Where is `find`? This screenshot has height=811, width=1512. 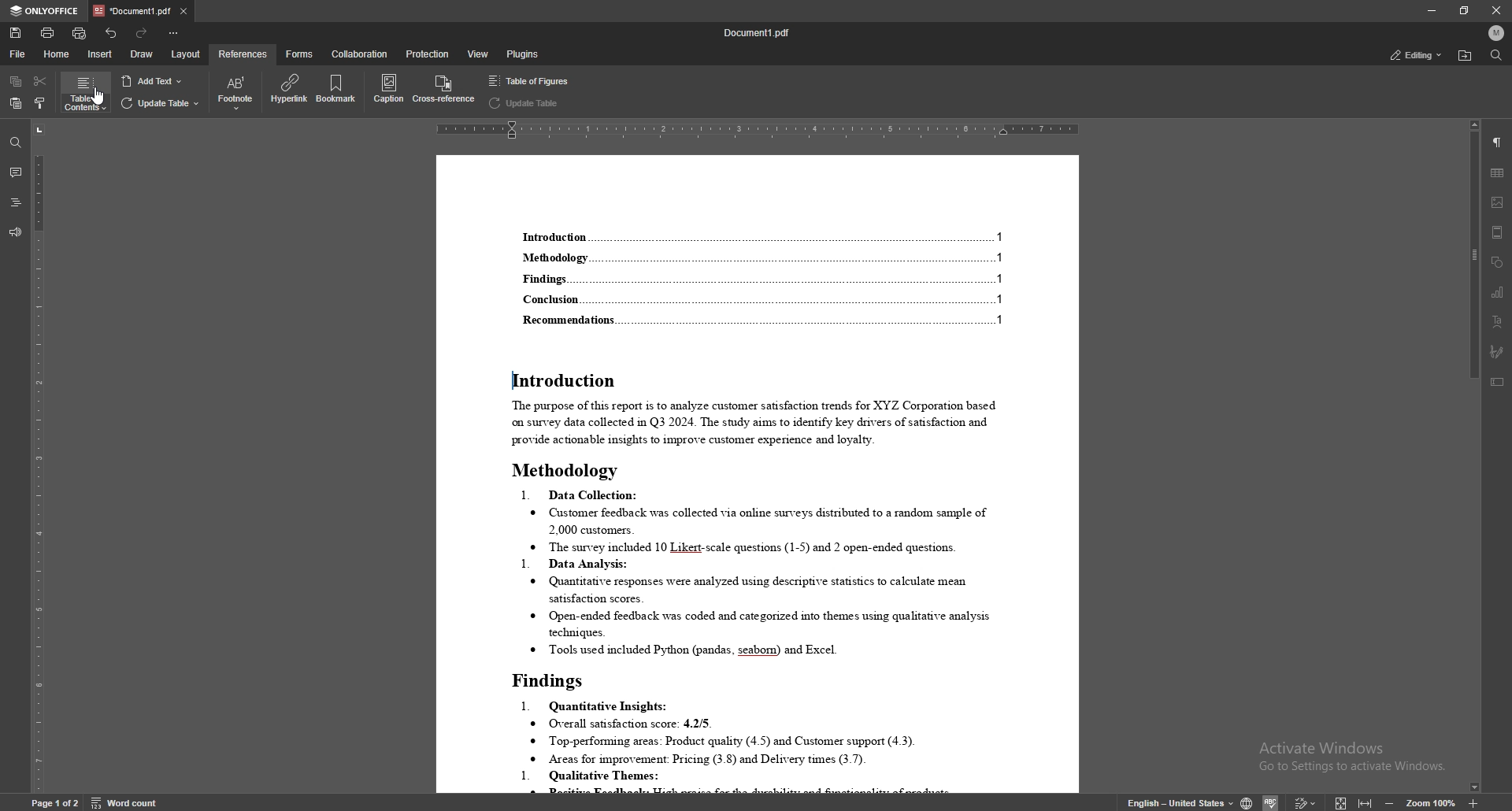 find is located at coordinates (16, 143).